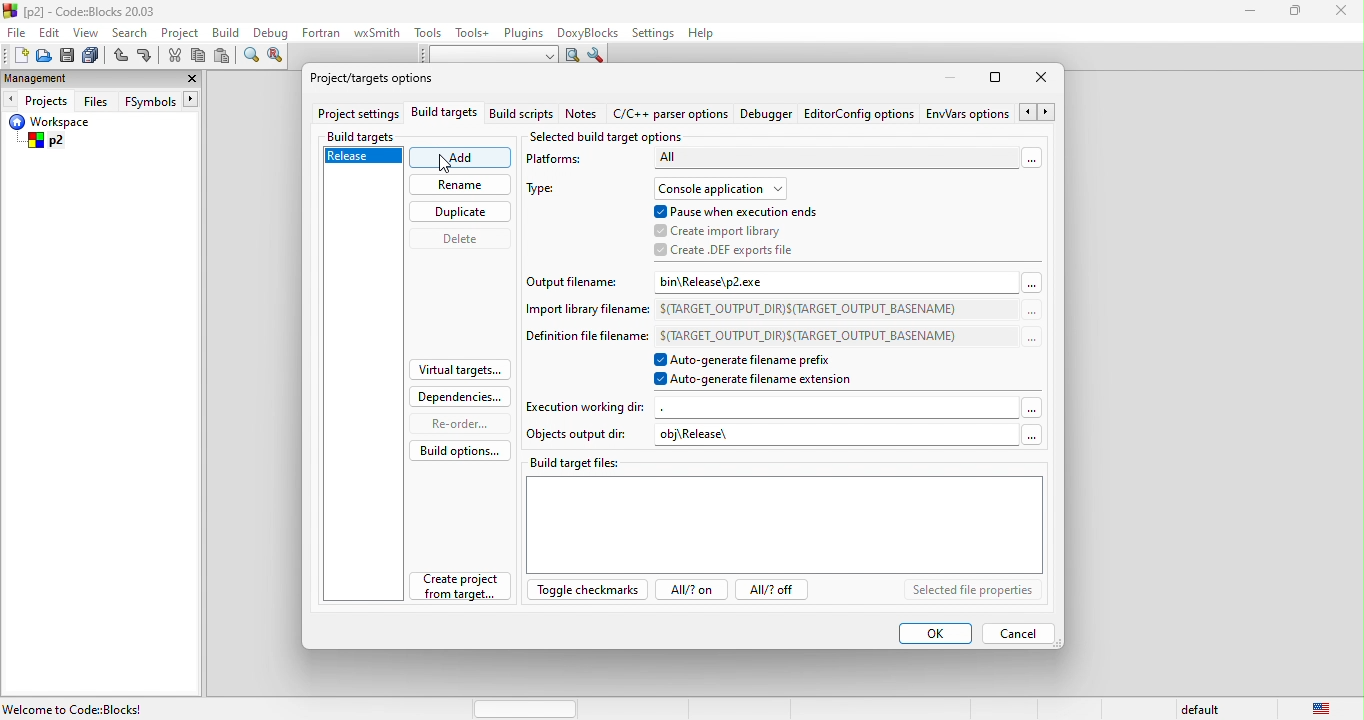 The image size is (1364, 720). What do you see at coordinates (377, 33) in the screenshot?
I see `wxsmith` at bounding box center [377, 33].